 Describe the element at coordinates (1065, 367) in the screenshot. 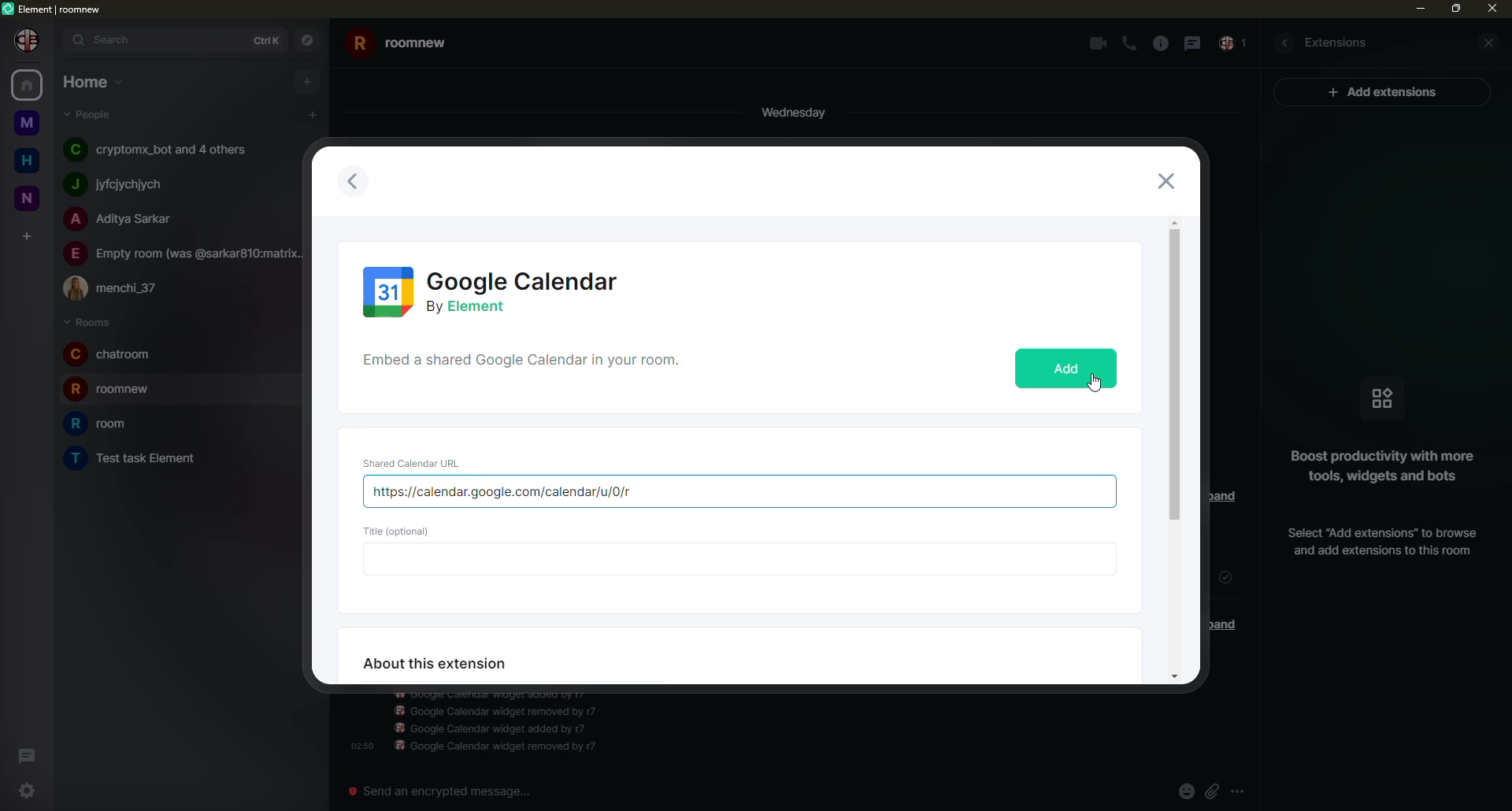

I see `add` at that location.